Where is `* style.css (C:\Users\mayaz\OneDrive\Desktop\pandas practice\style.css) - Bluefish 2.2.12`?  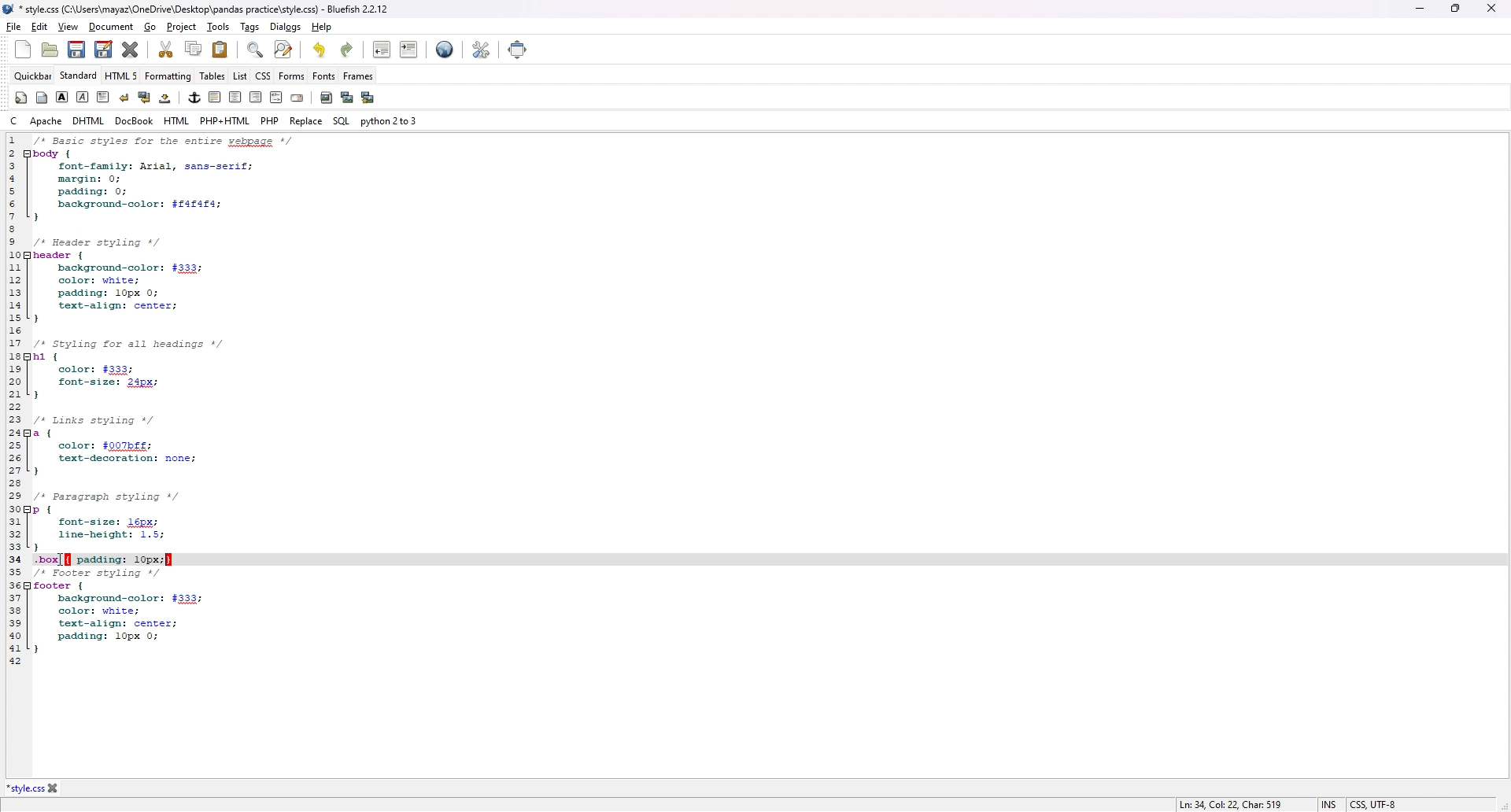 * style.css (C:\Users\mayaz\OneDrive\Desktop\pandas practice\style.css) - Bluefish 2.2.12 is located at coordinates (201, 9).